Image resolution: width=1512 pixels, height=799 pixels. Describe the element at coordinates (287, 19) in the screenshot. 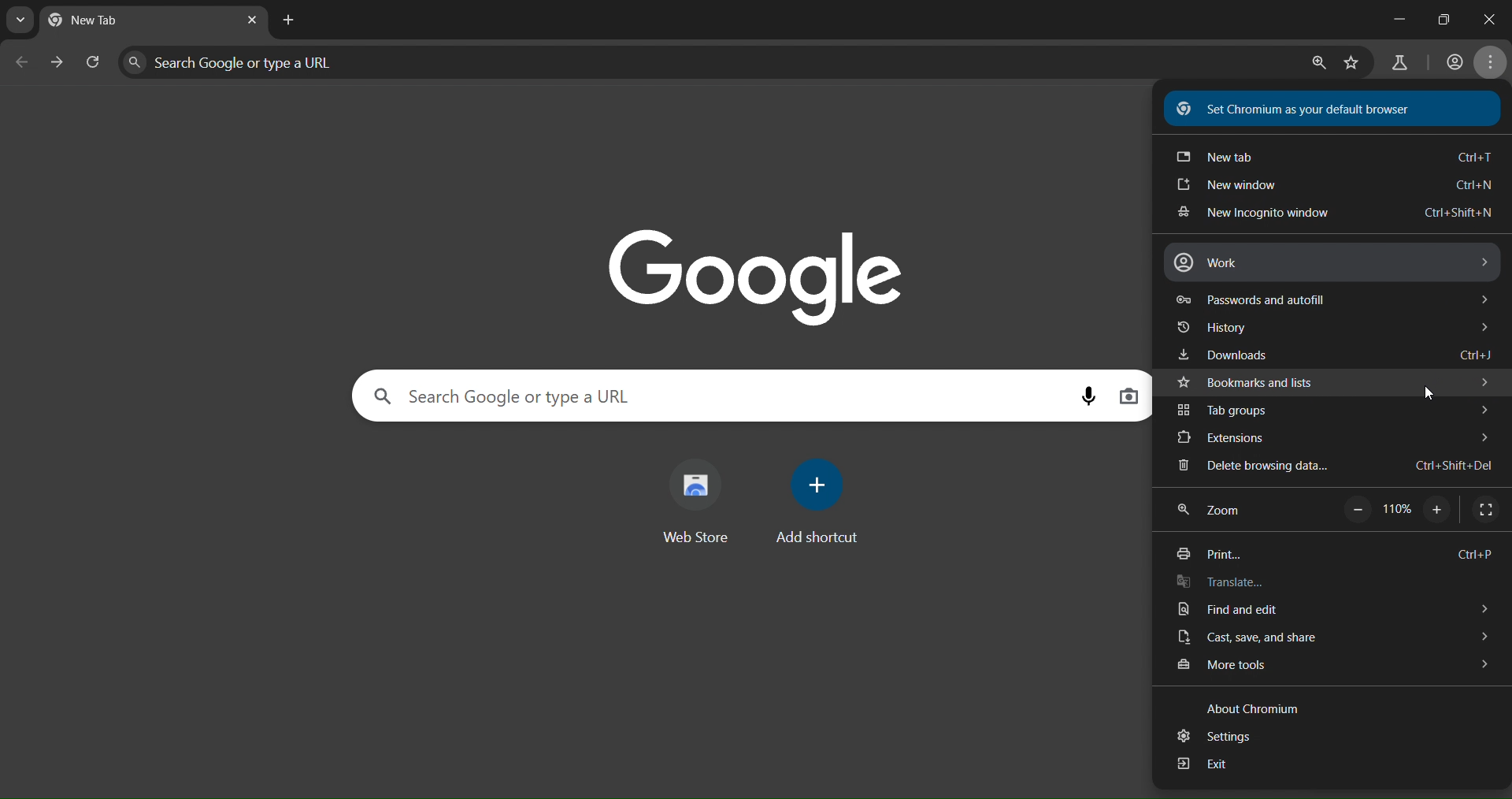

I see `open new tab` at that location.